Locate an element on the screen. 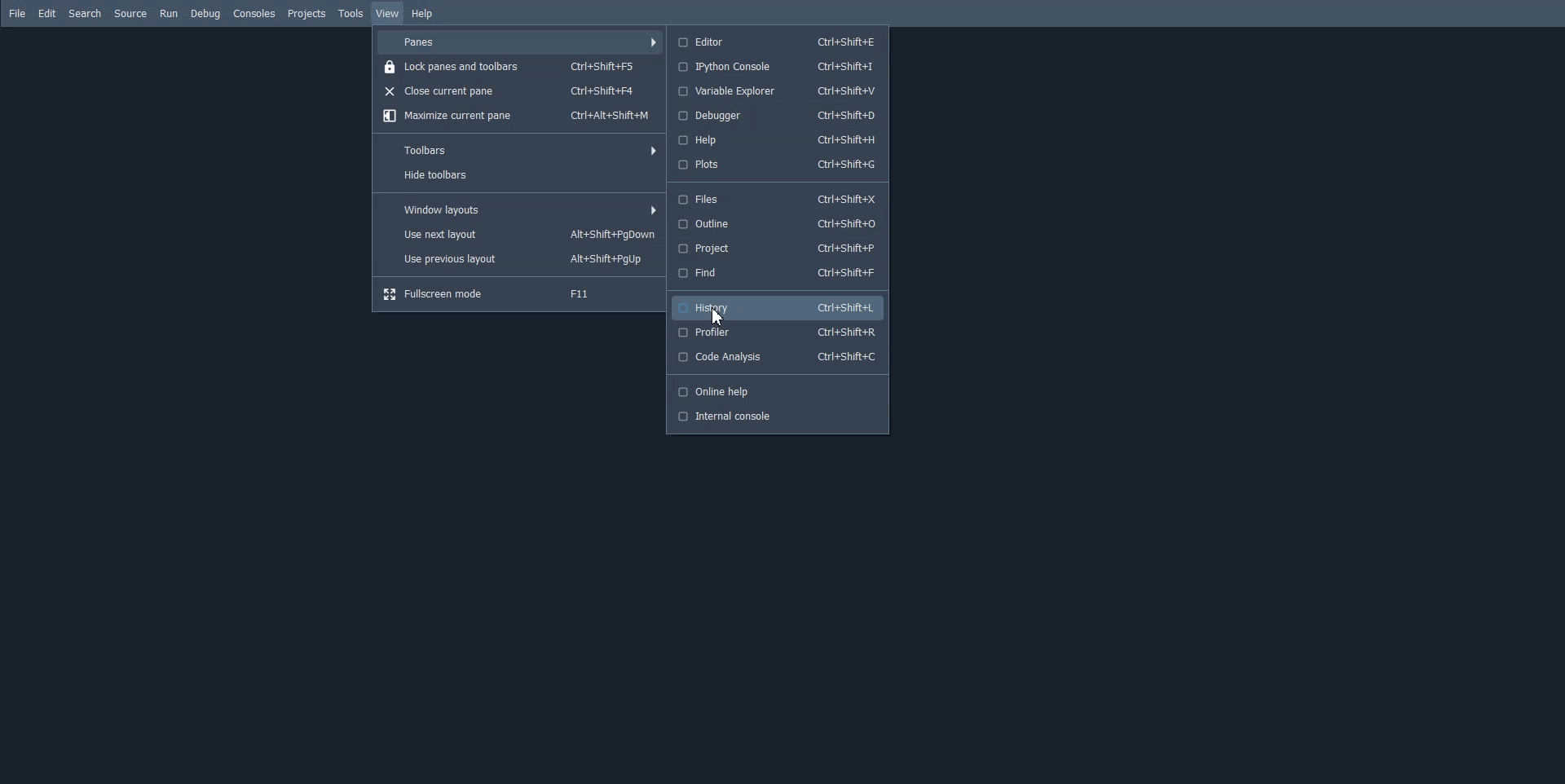 The width and height of the screenshot is (1565, 784). Lock panes and toolbars is located at coordinates (518, 65).